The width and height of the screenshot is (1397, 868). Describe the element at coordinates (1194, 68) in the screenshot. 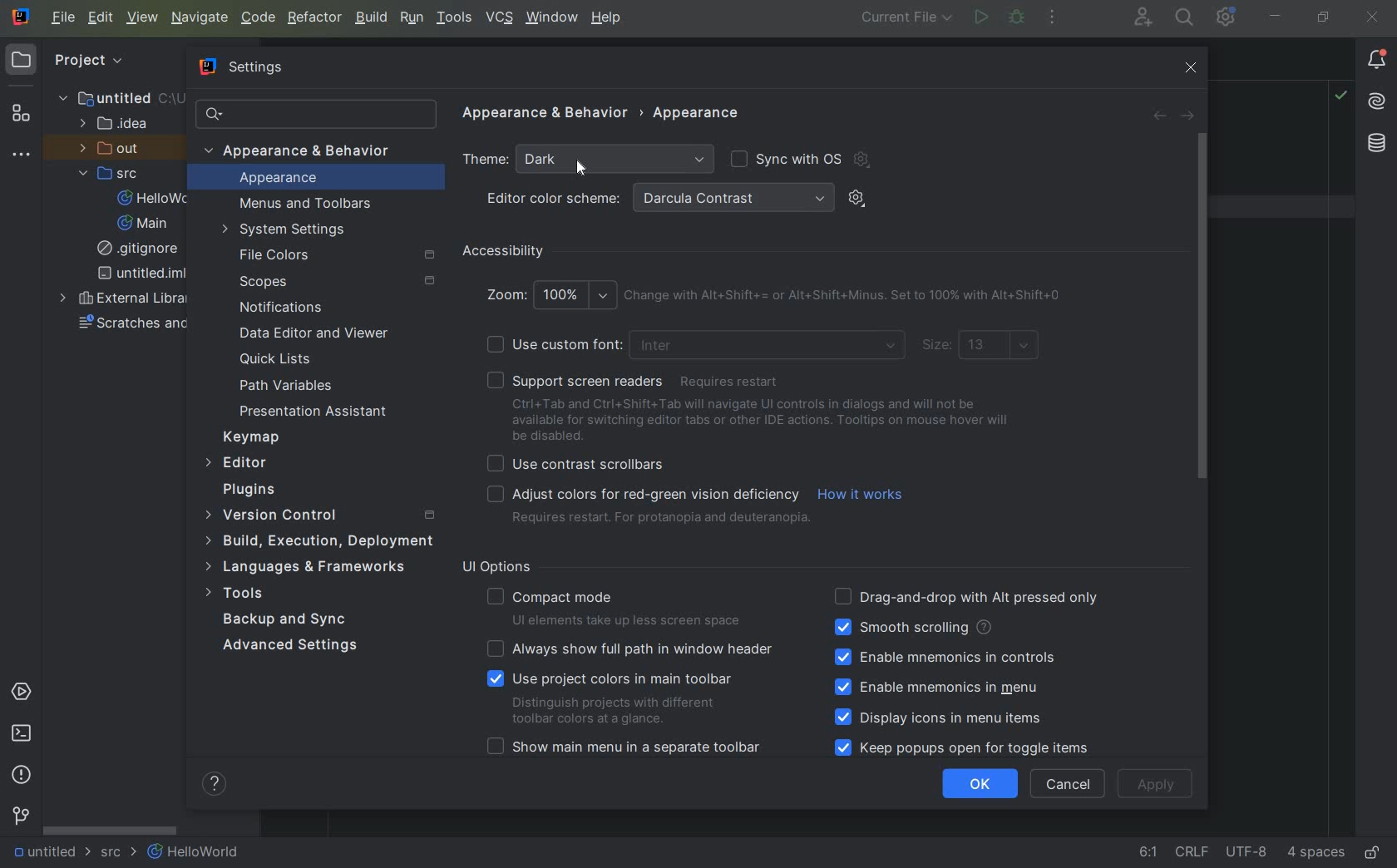

I see `close` at that location.